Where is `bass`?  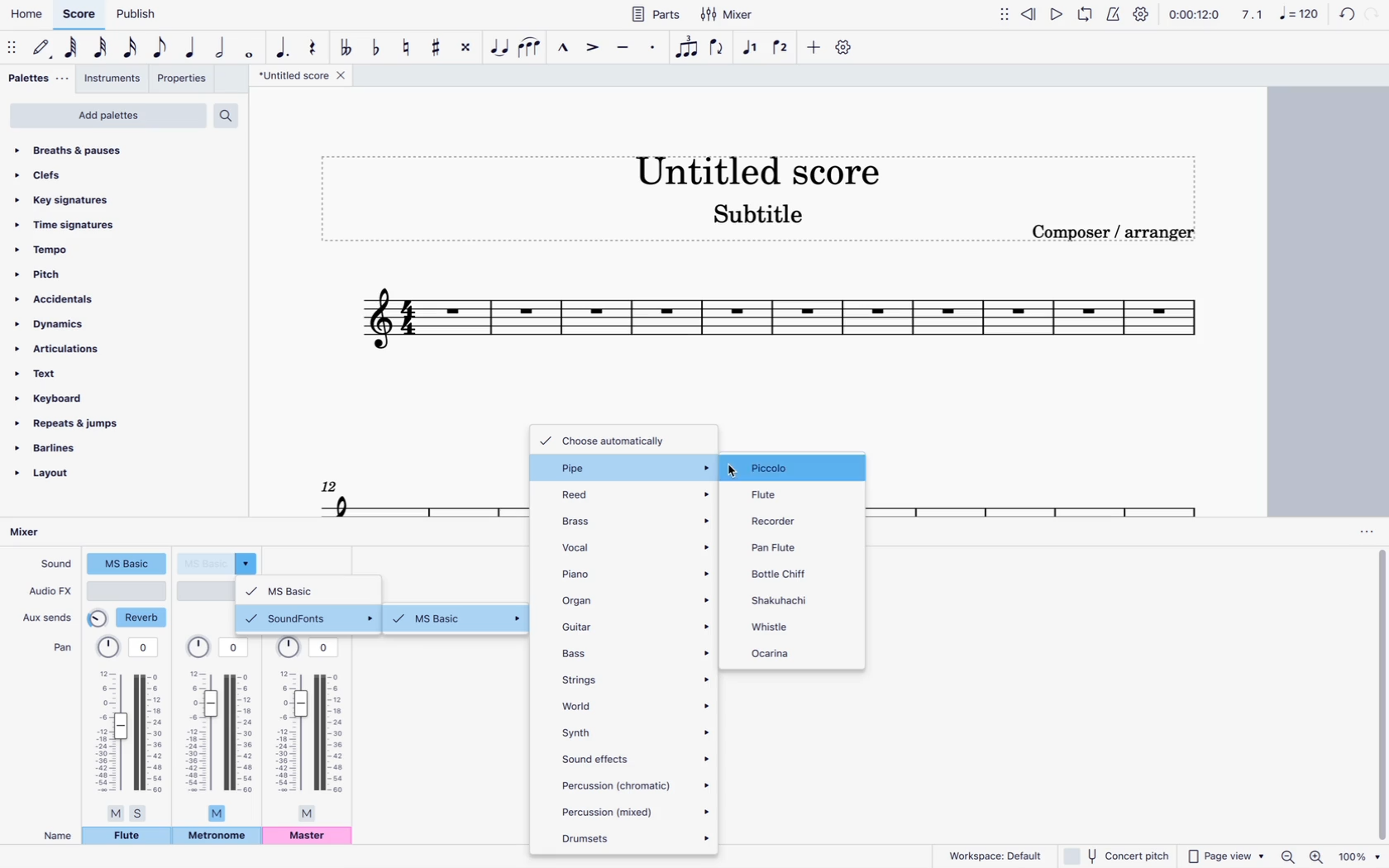 bass is located at coordinates (636, 653).